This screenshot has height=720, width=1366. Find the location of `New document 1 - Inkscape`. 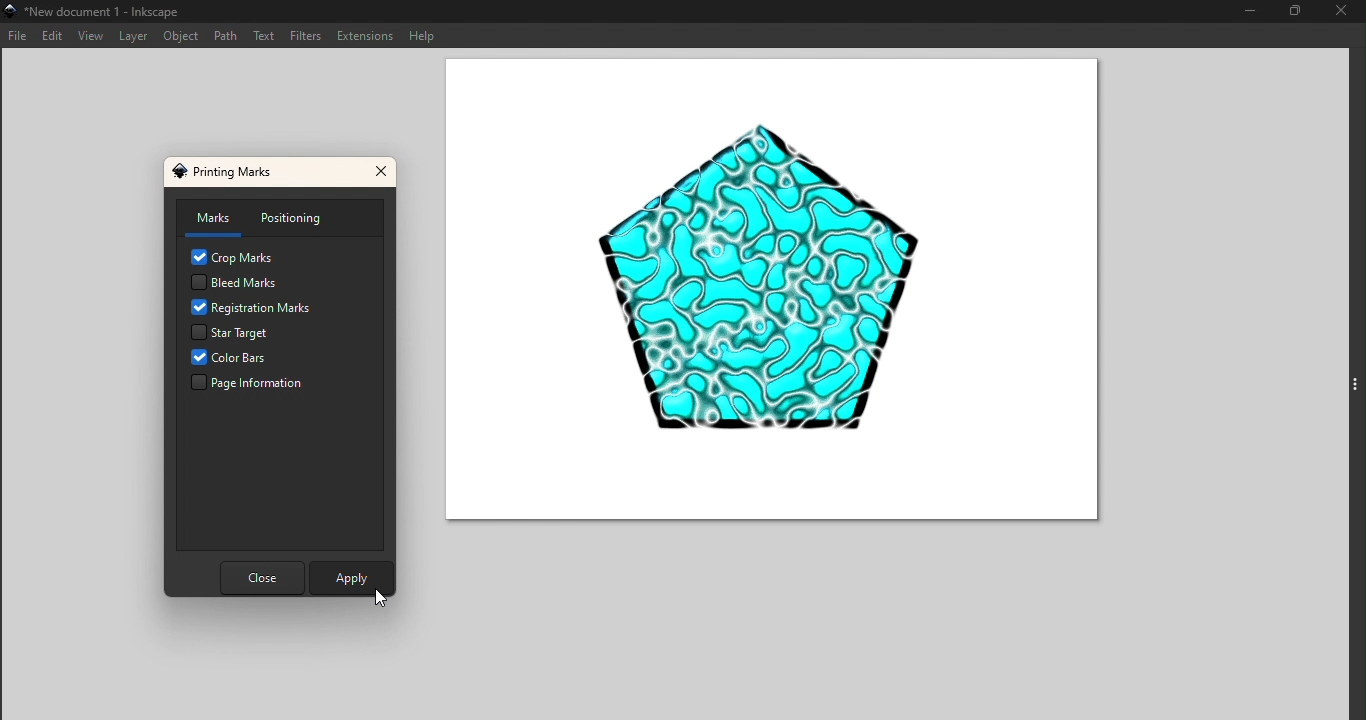

New document 1 - Inkscape is located at coordinates (109, 10).